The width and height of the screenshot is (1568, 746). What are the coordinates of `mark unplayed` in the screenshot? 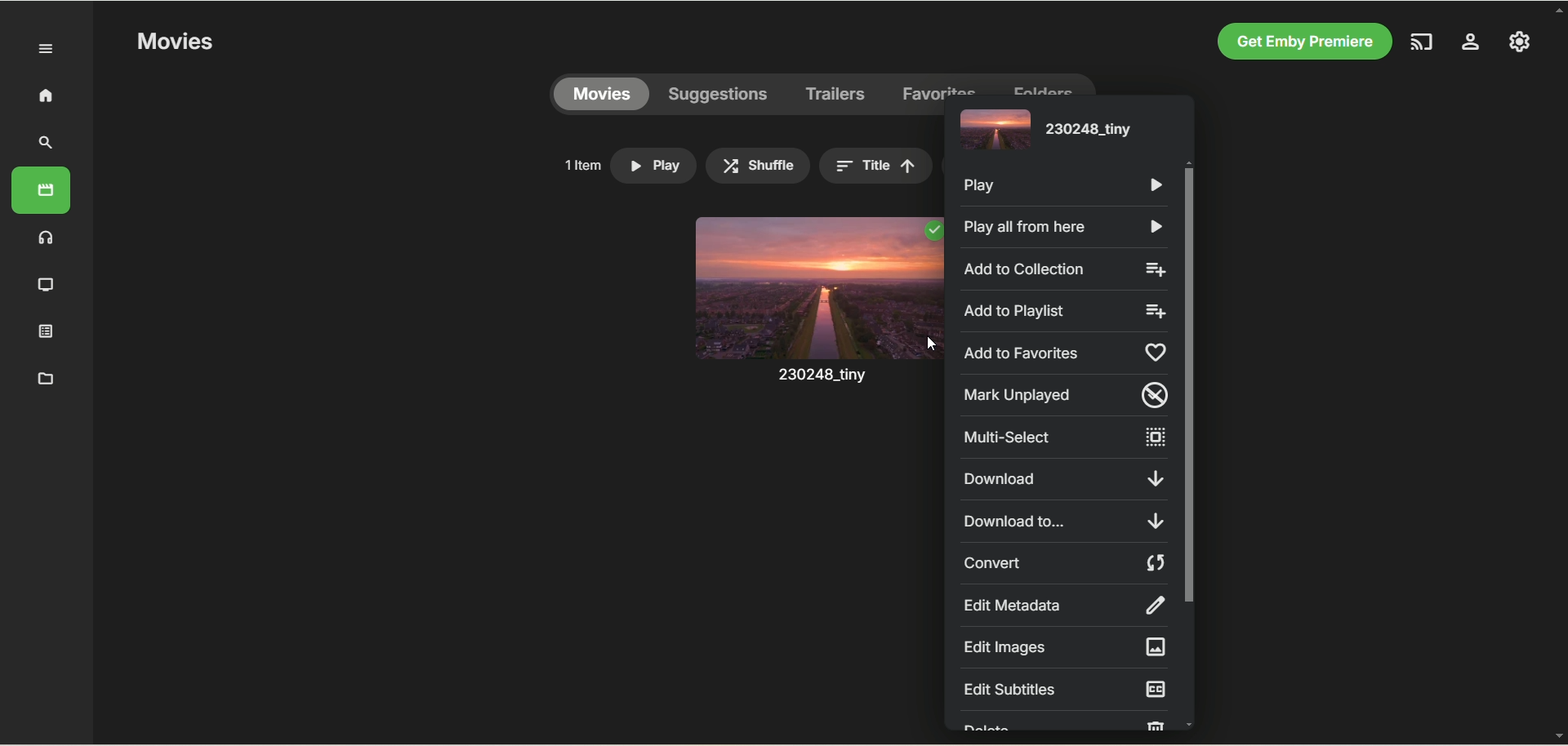 It's located at (1067, 396).